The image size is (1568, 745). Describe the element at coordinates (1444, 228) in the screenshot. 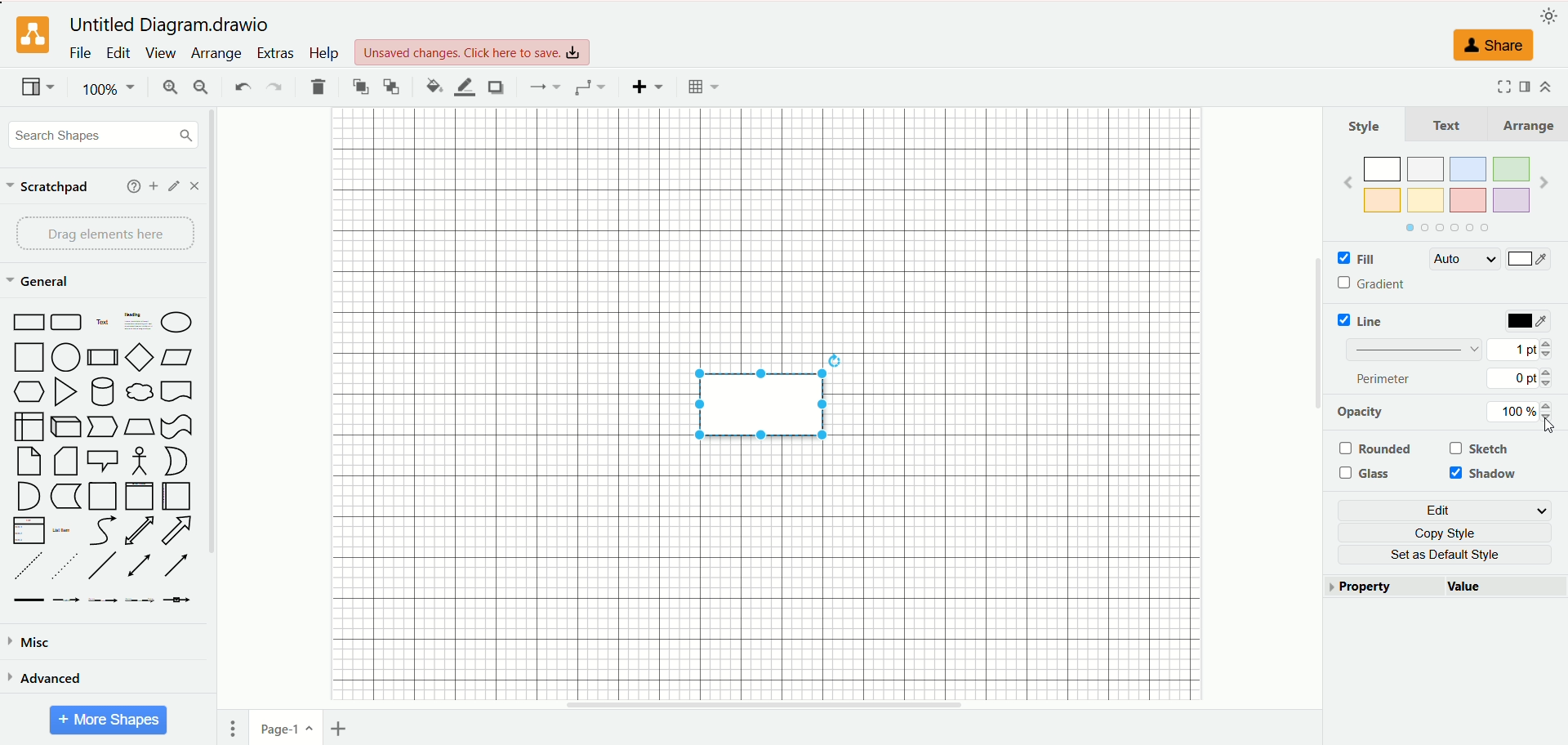

I see `color options navigate` at that location.